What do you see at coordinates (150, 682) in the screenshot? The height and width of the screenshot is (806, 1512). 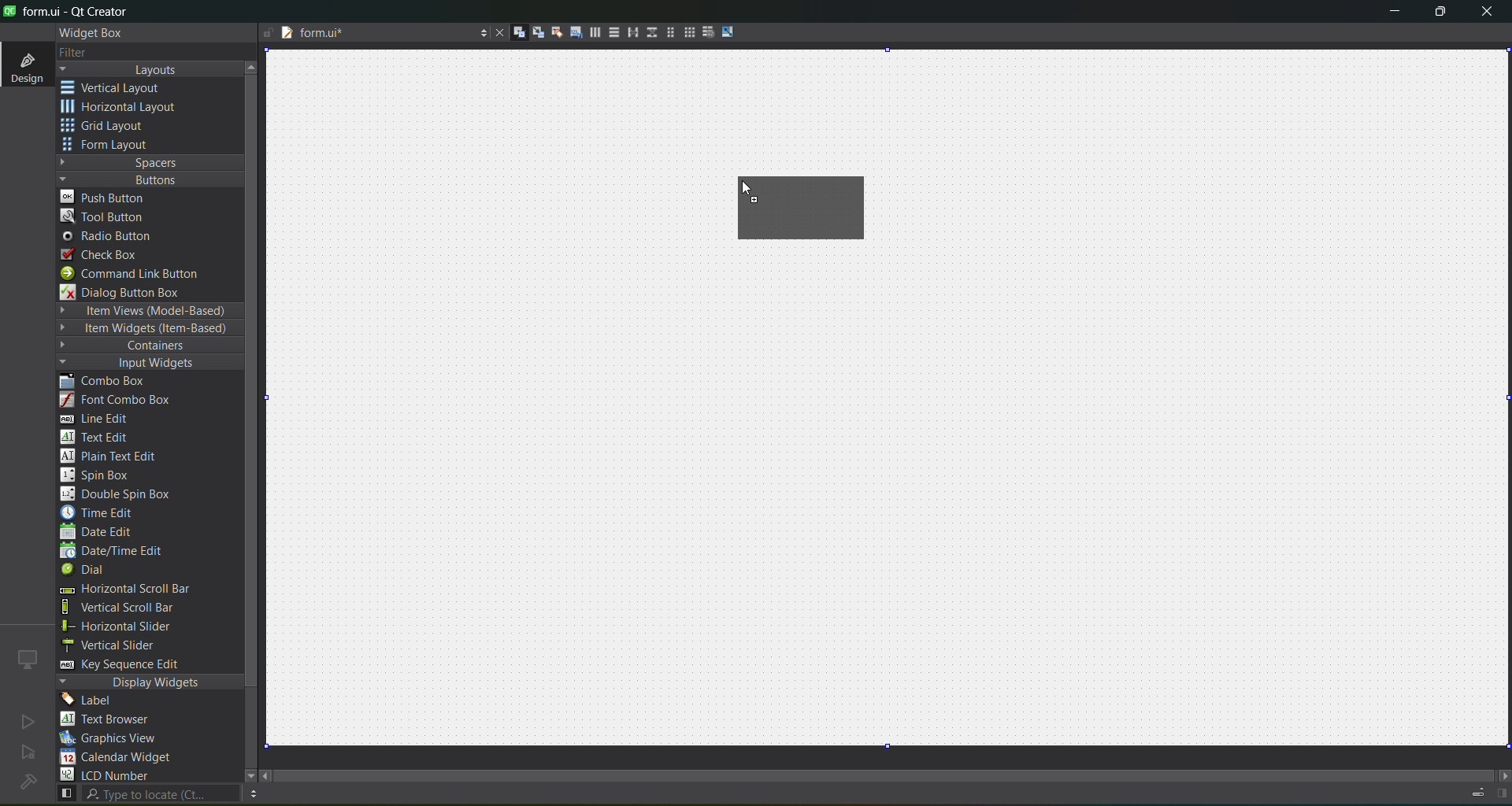 I see `display widgets` at bounding box center [150, 682].